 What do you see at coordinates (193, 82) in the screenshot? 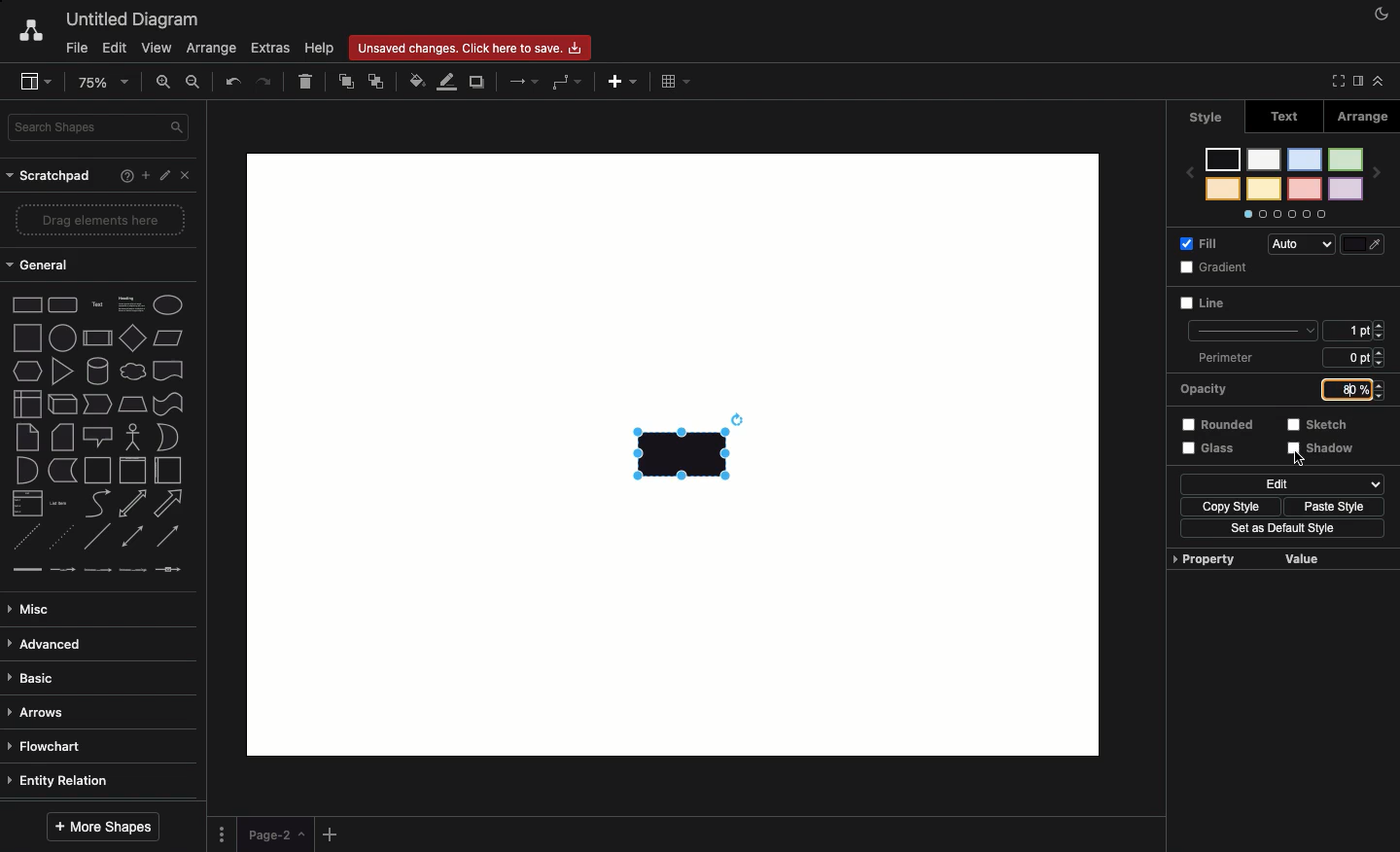
I see `Zoom out` at bounding box center [193, 82].